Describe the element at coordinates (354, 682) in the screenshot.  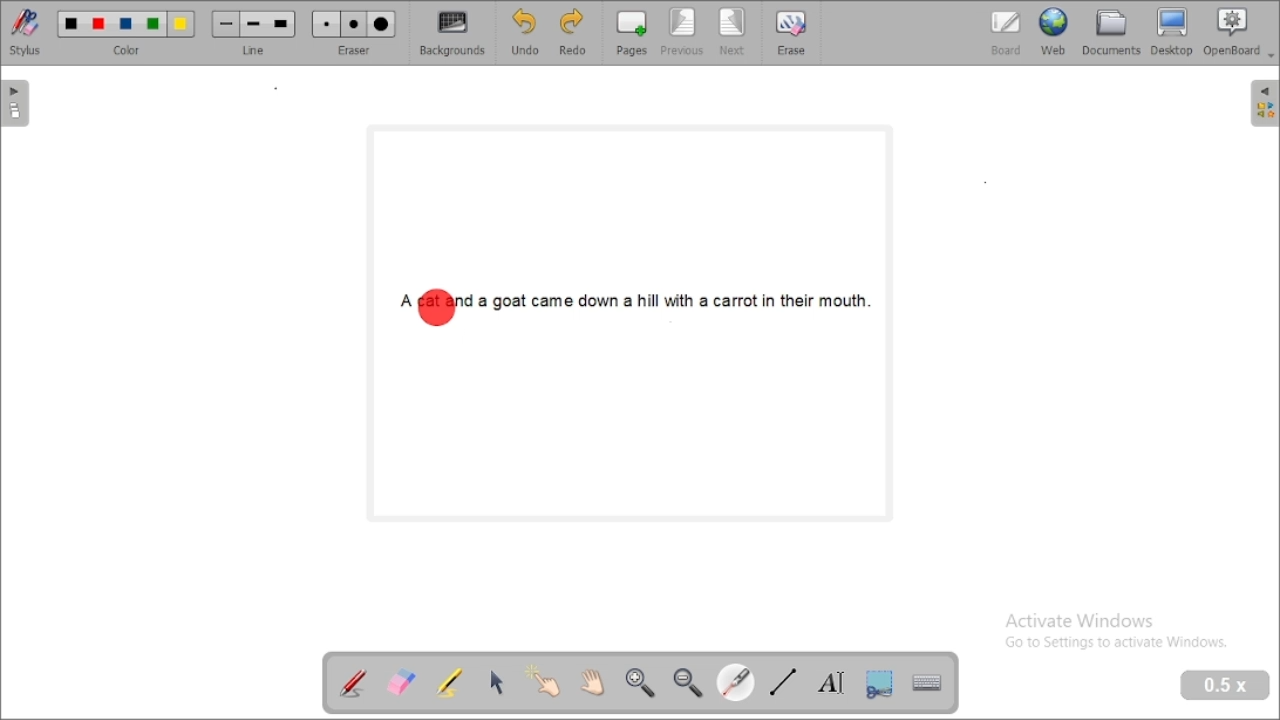
I see `annotate document` at that location.